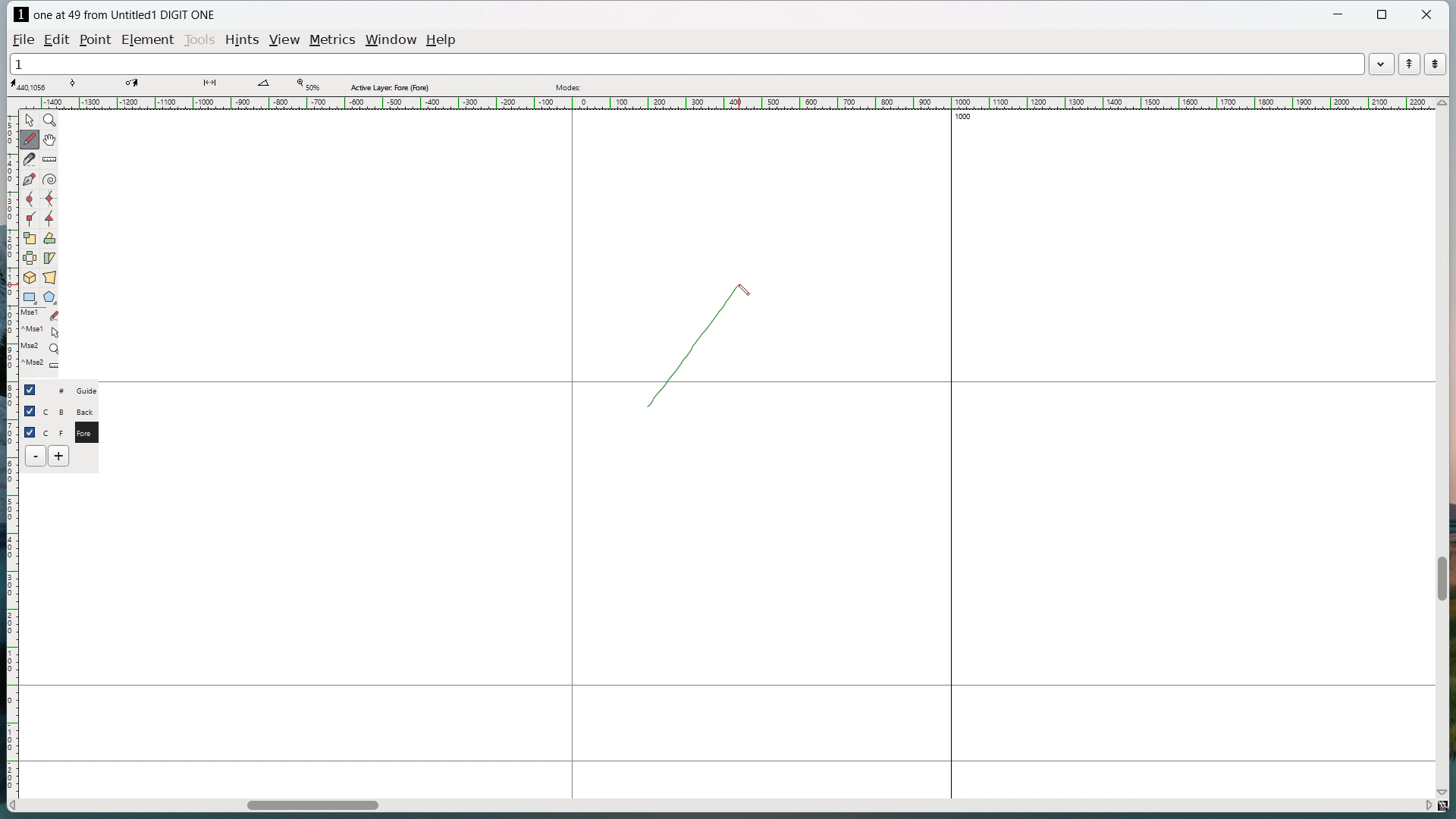 The image size is (1456, 819). I want to click on cursor coordinate, so click(31, 85).